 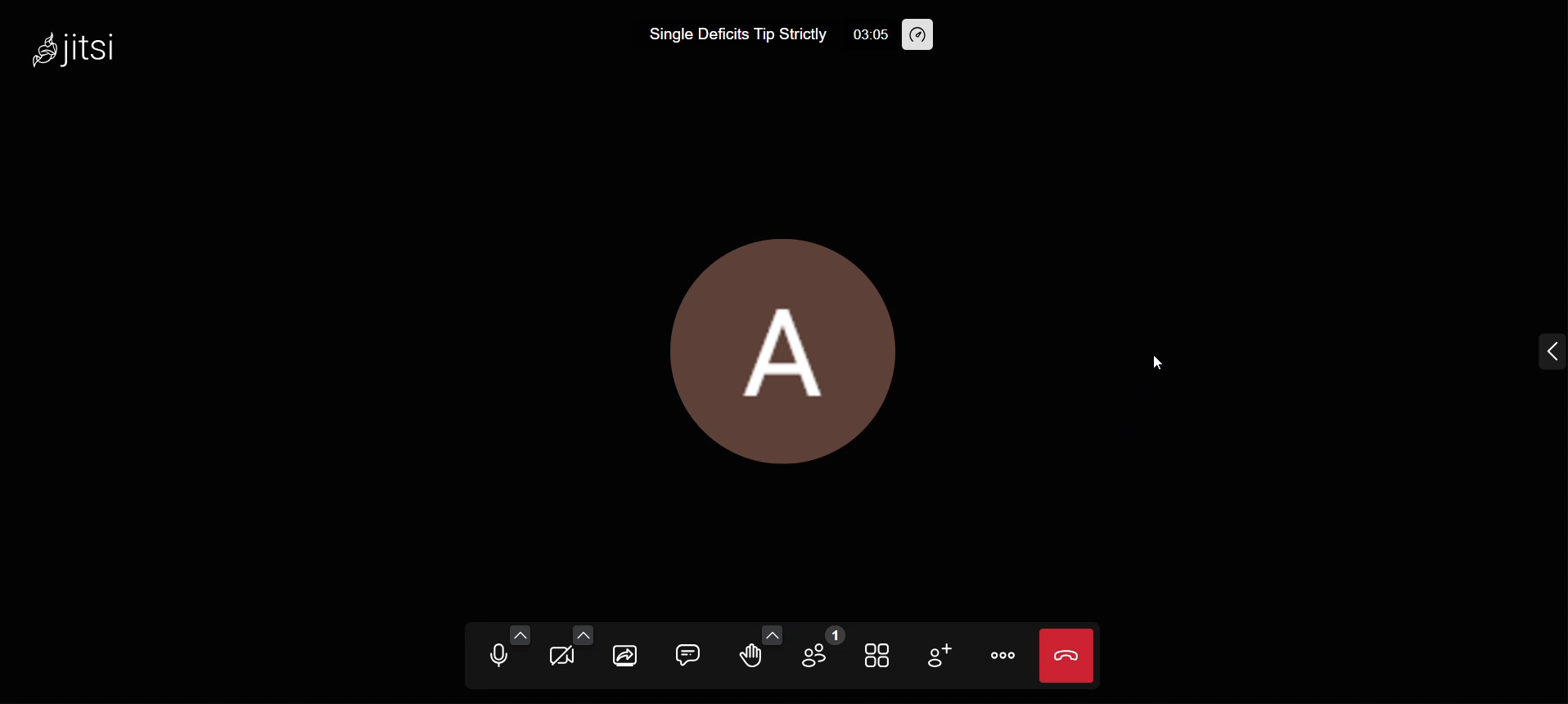 What do you see at coordinates (1006, 653) in the screenshot?
I see `more actions` at bounding box center [1006, 653].